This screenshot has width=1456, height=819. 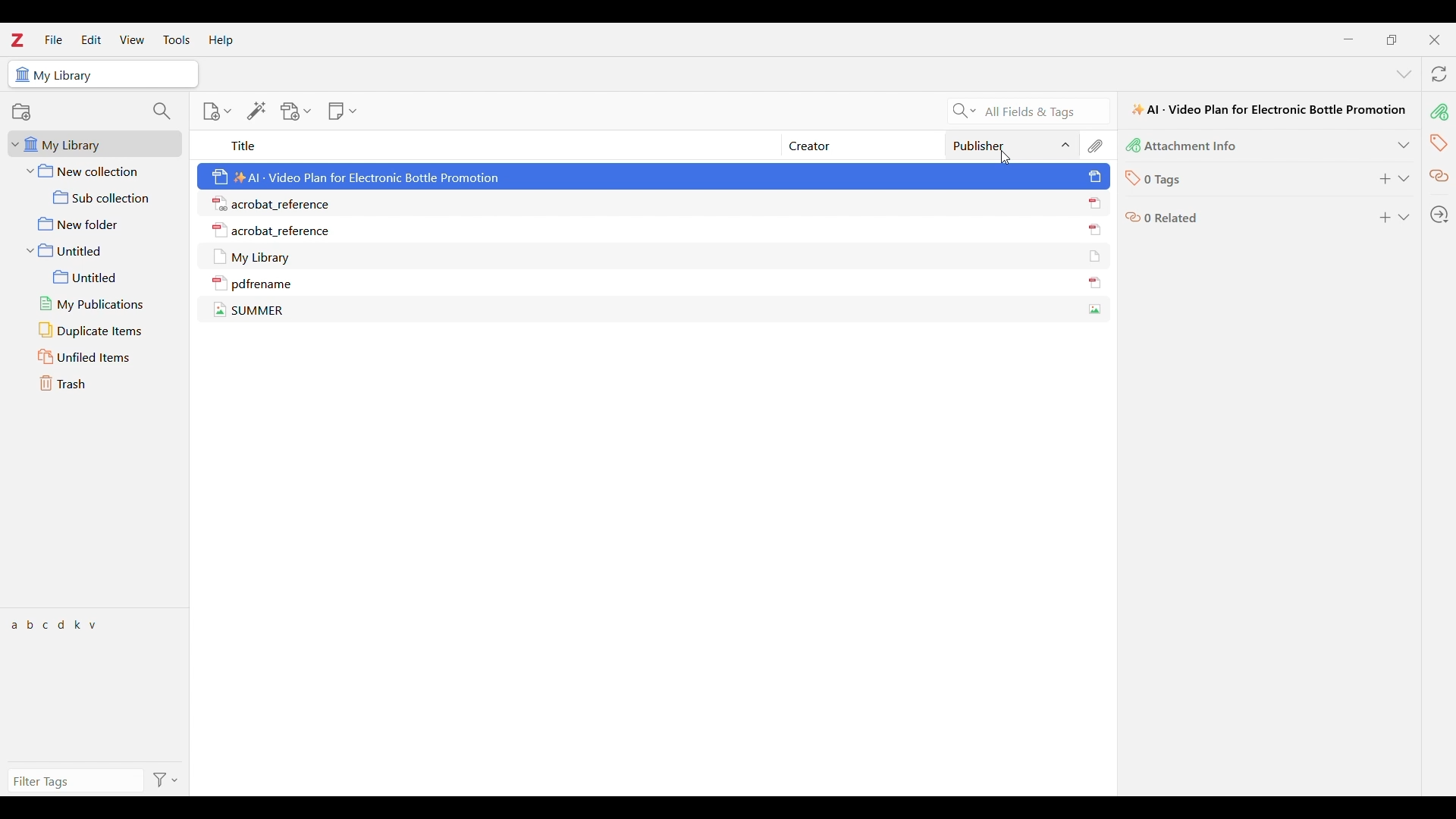 I want to click on Expand tags, so click(x=1404, y=179).